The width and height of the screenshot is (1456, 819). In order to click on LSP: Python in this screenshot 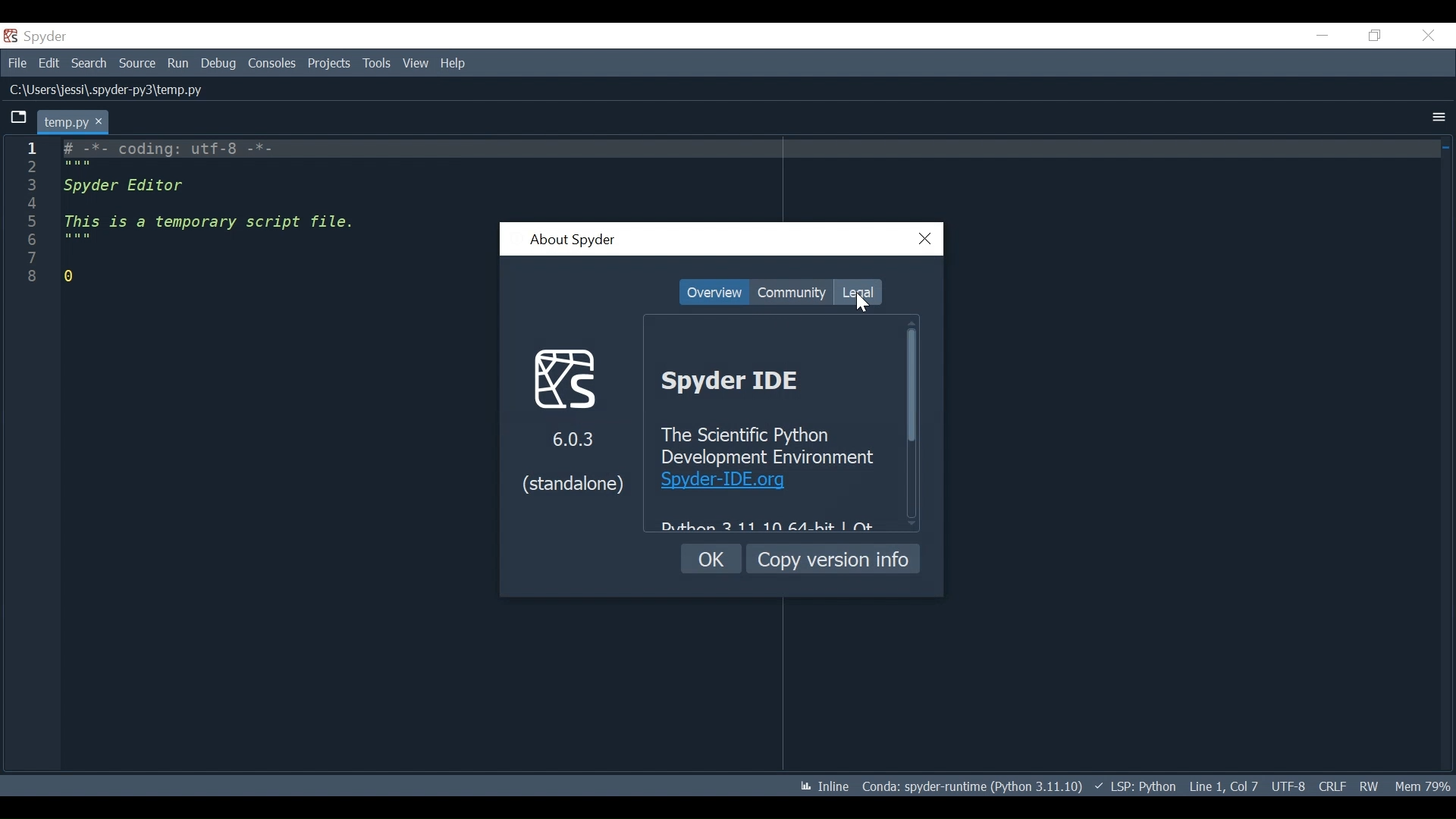, I will do `click(1135, 787)`.